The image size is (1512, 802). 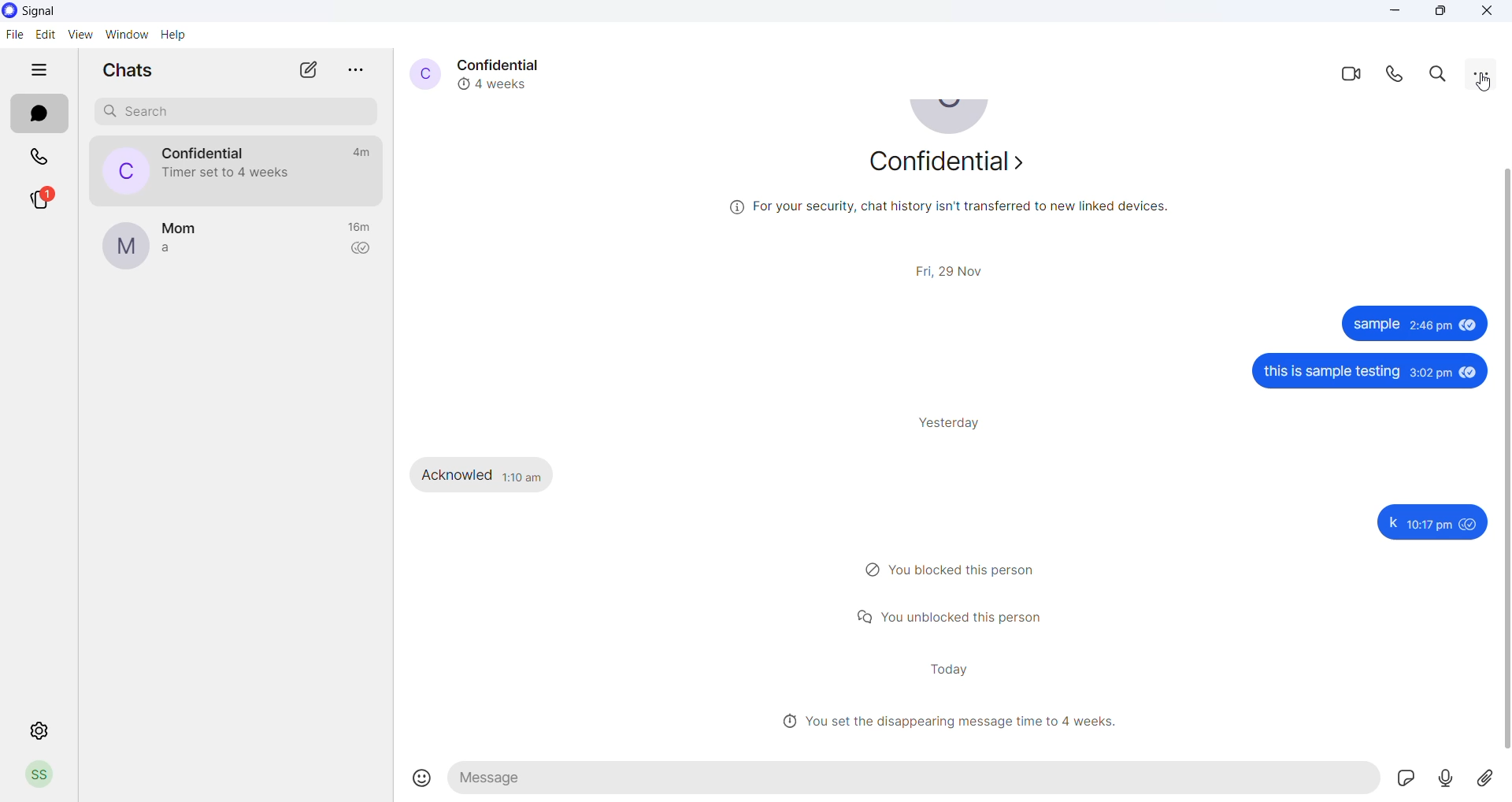 What do you see at coordinates (421, 72) in the screenshot?
I see `profile picture` at bounding box center [421, 72].